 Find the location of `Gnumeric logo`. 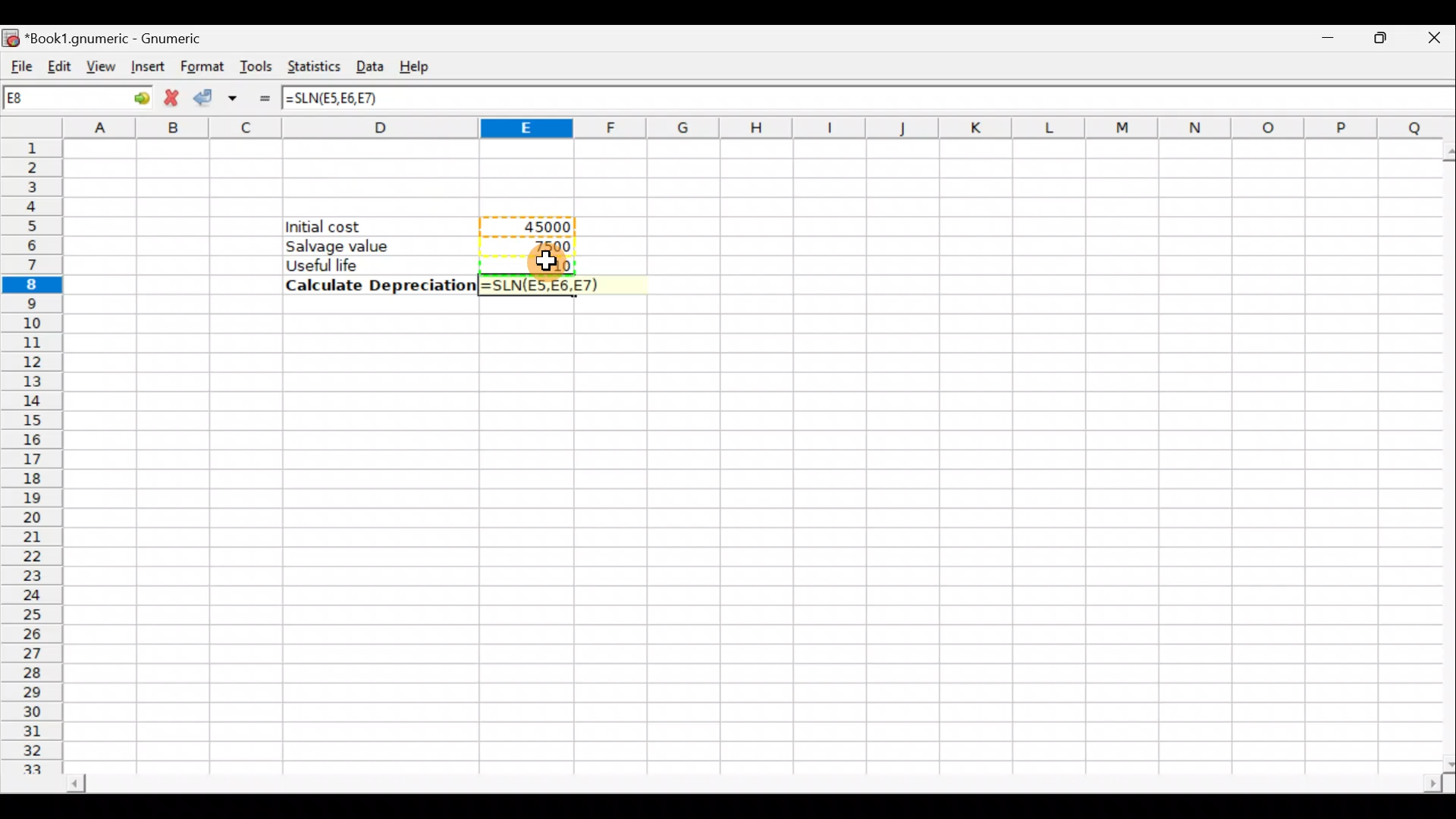

Gnumeric logo is located at coordinates (12, 35).